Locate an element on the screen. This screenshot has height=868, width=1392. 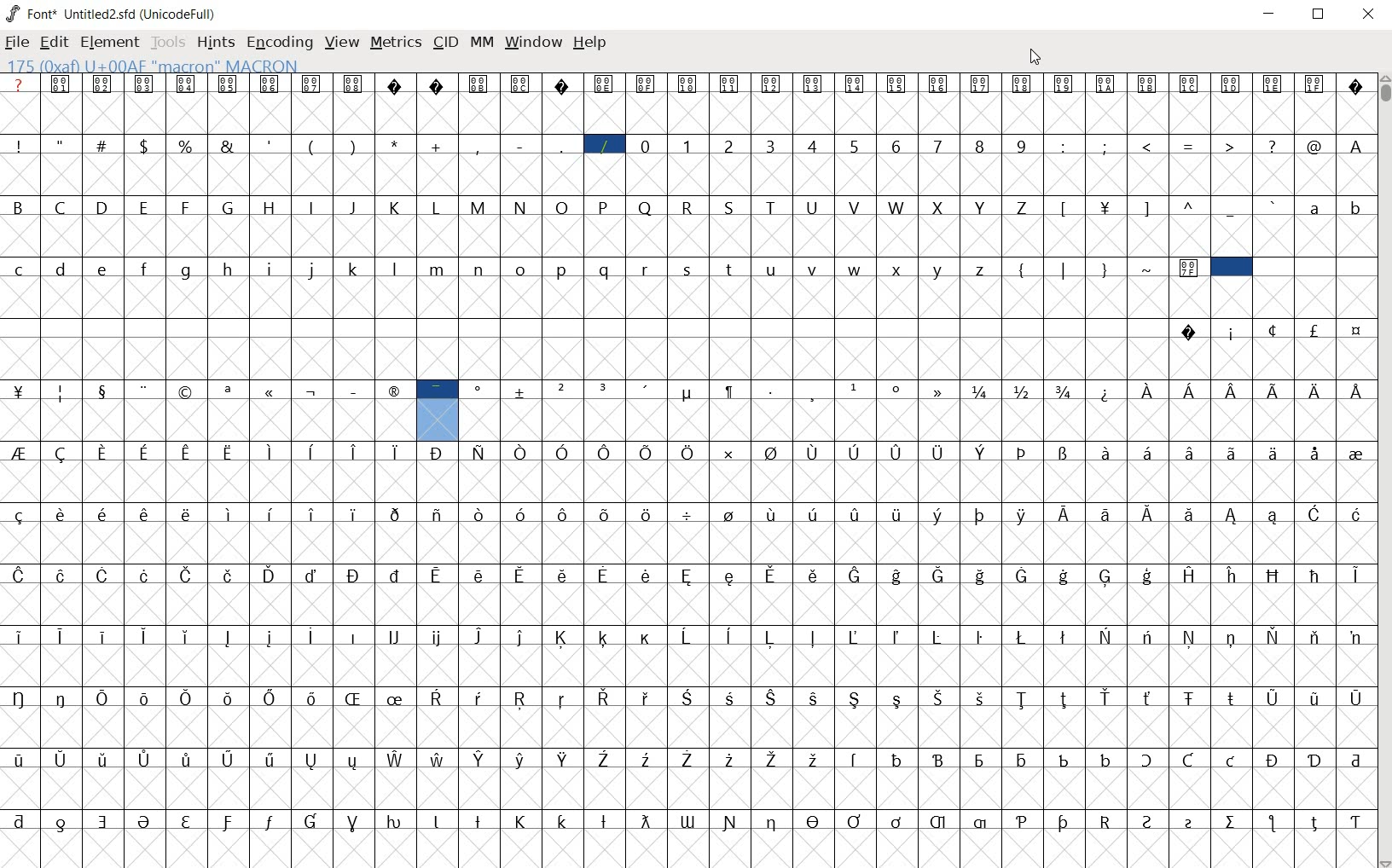
special characters is located at coordinates (1104, 286).